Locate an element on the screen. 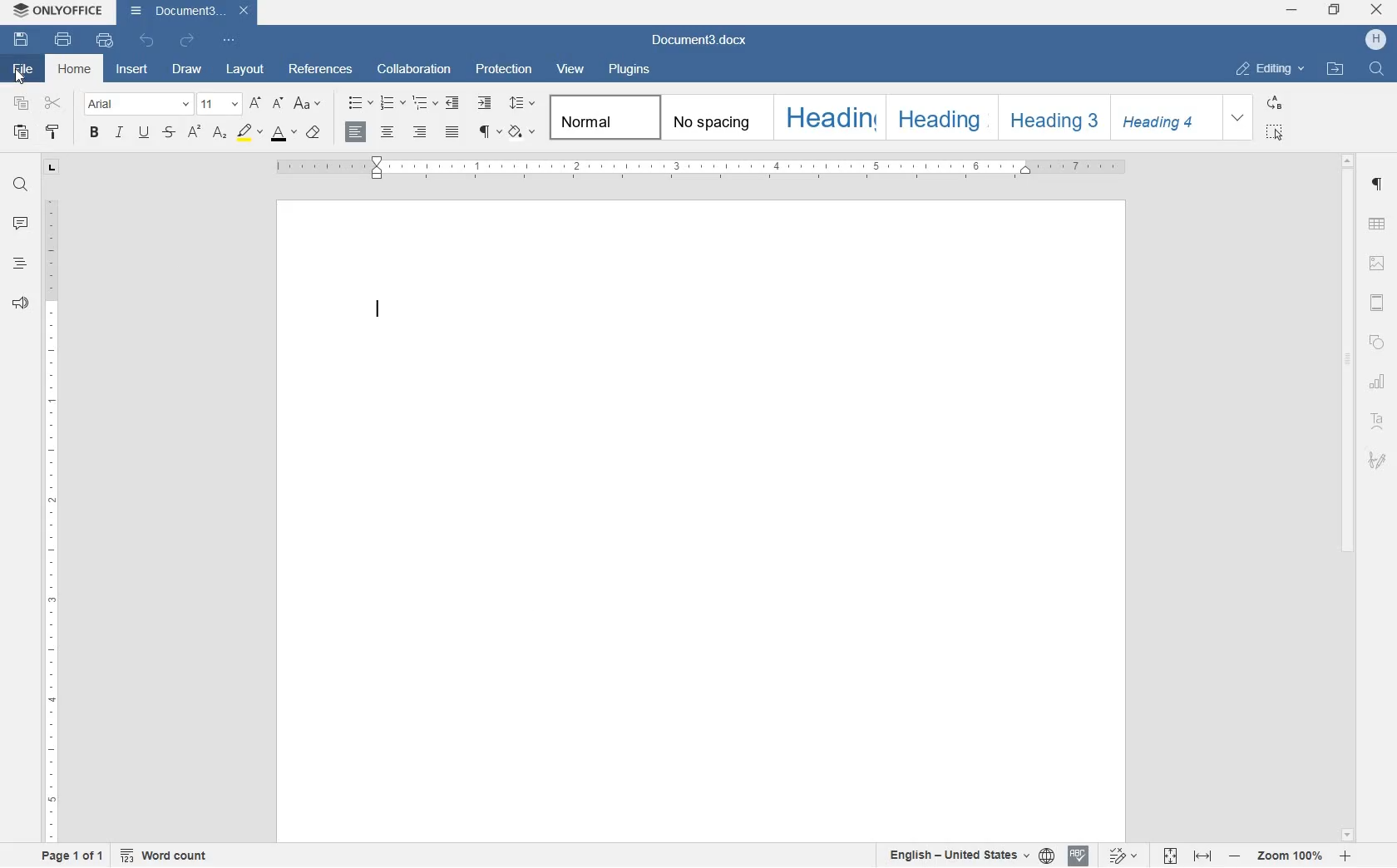 Image resolution: width=1397 pixels, height=868 pixels. feedback & support is located at coordinates (20, 301).